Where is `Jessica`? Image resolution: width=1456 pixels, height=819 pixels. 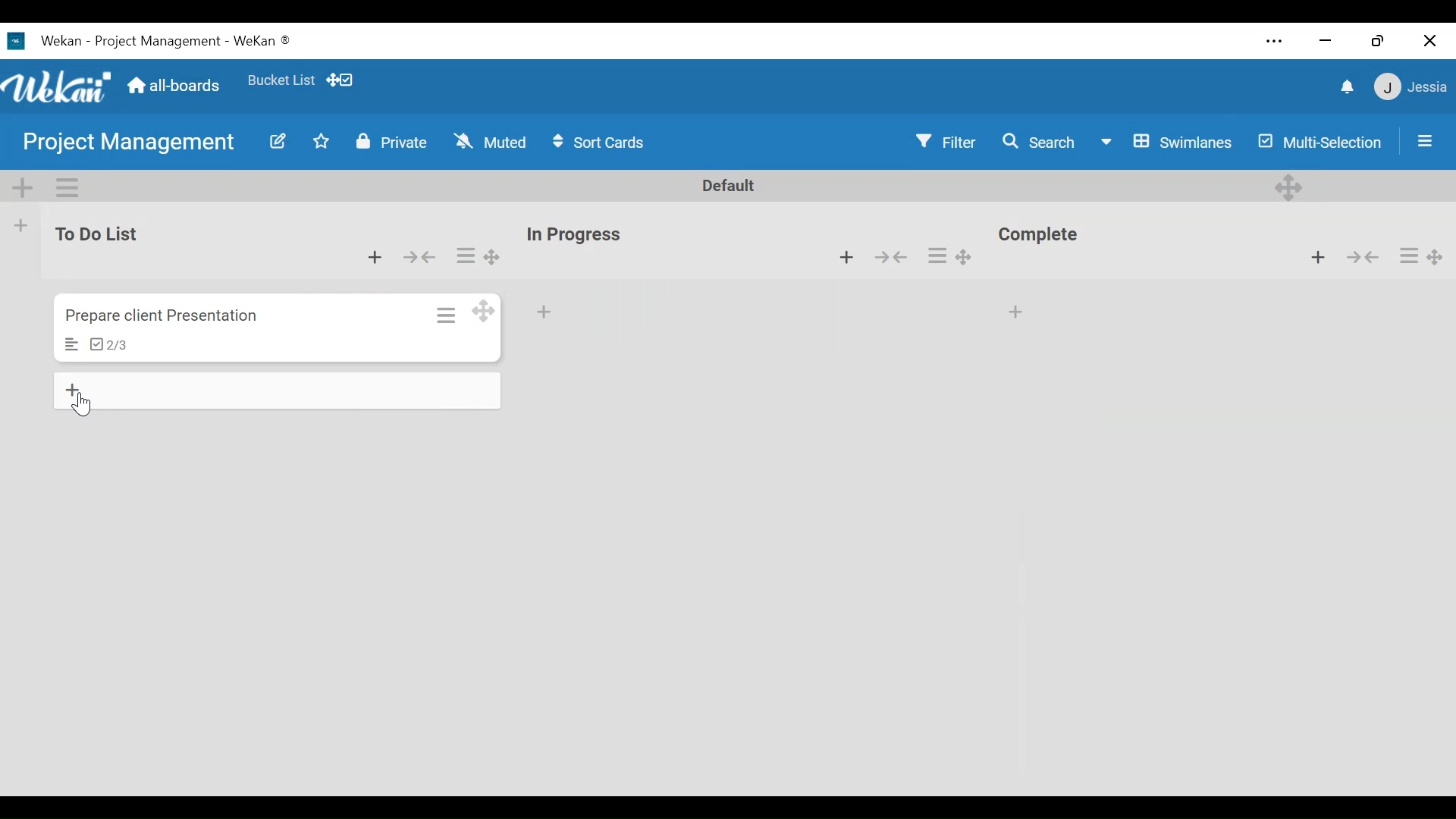 Jessica is located at coordinates (1408, 89).